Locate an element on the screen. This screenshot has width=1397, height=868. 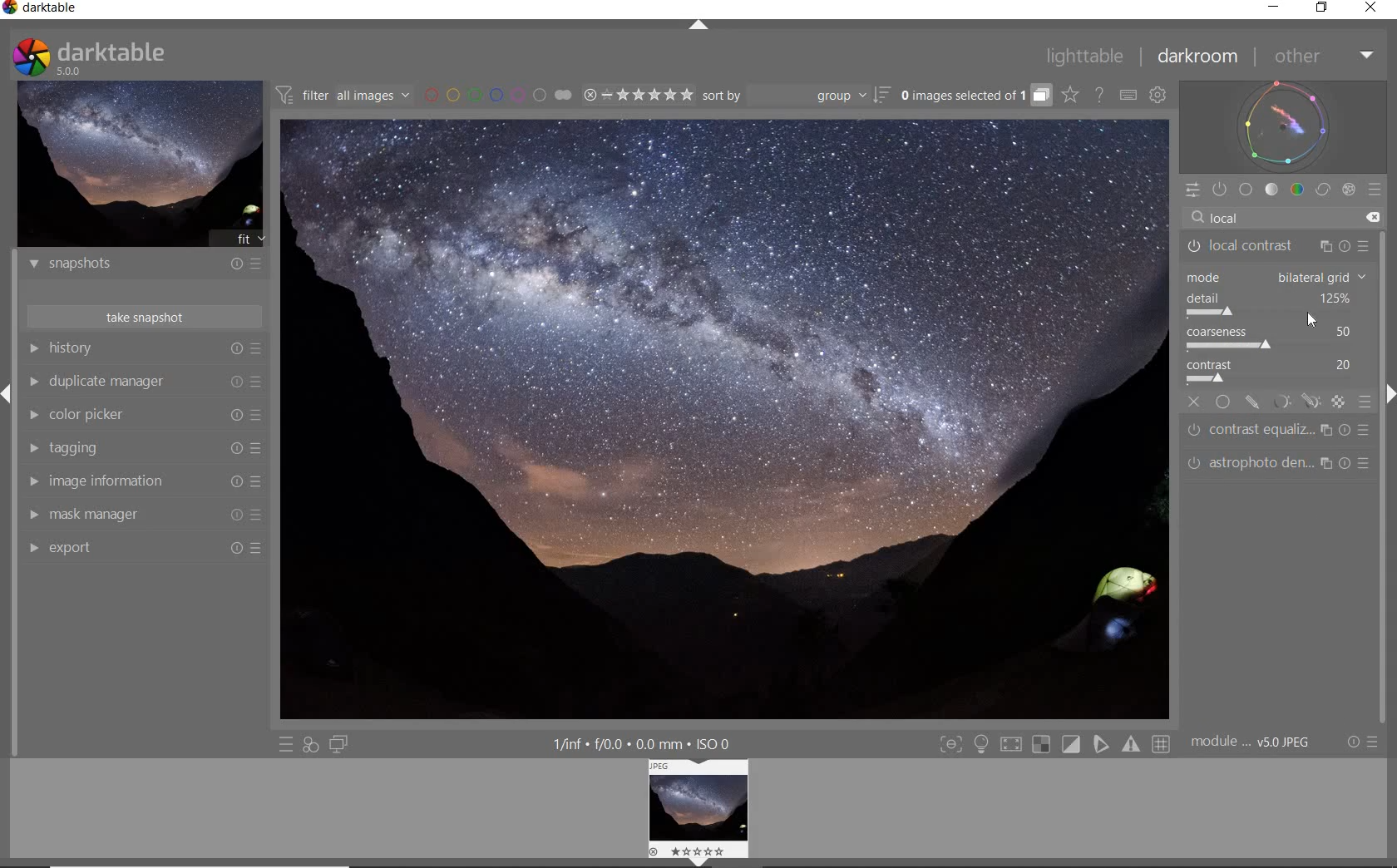
mask manager is located at coordinates (97, 511).